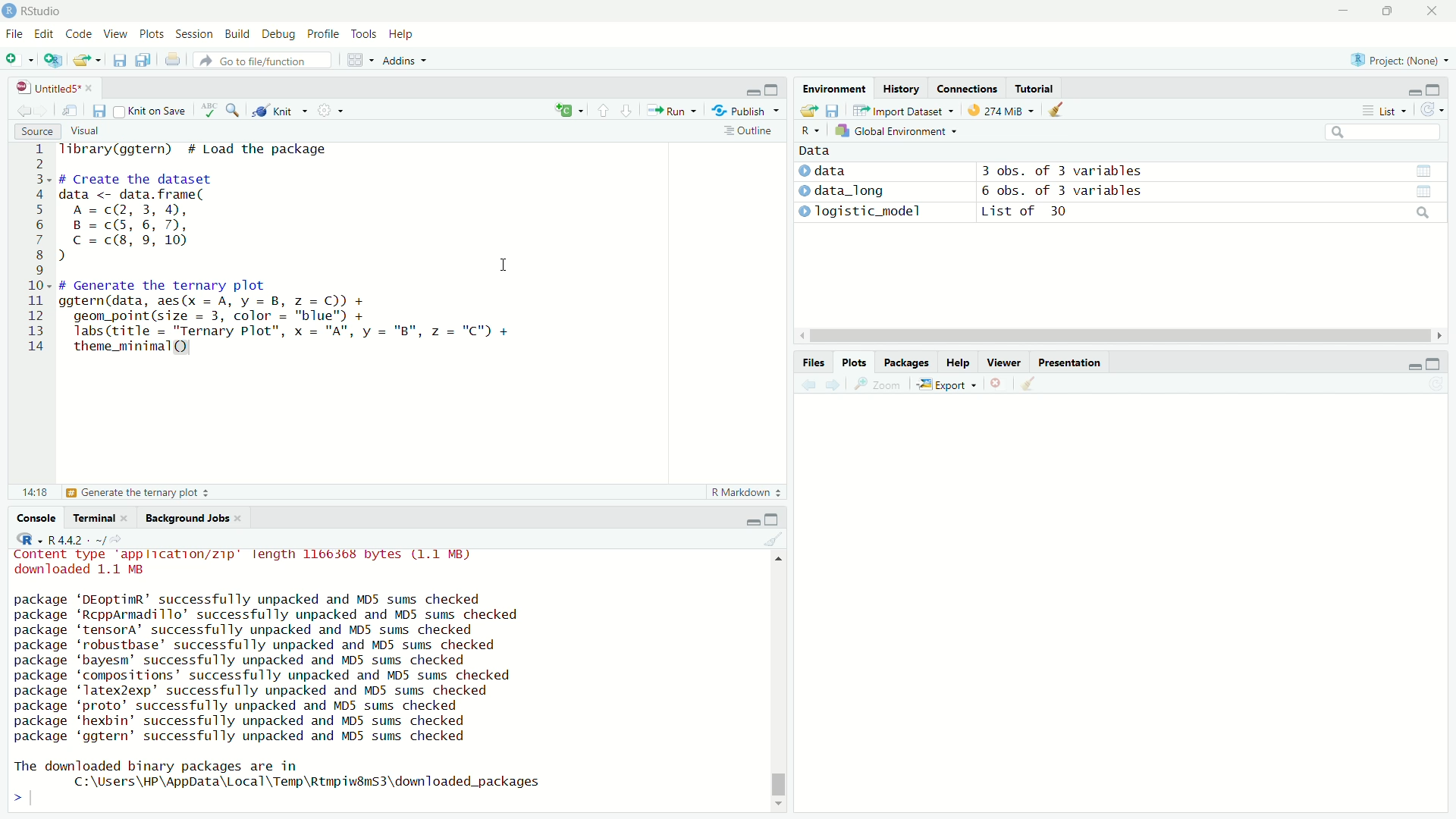 This screenshot has height=819, width=1456. I want to click on minimise, so click(749, 519).